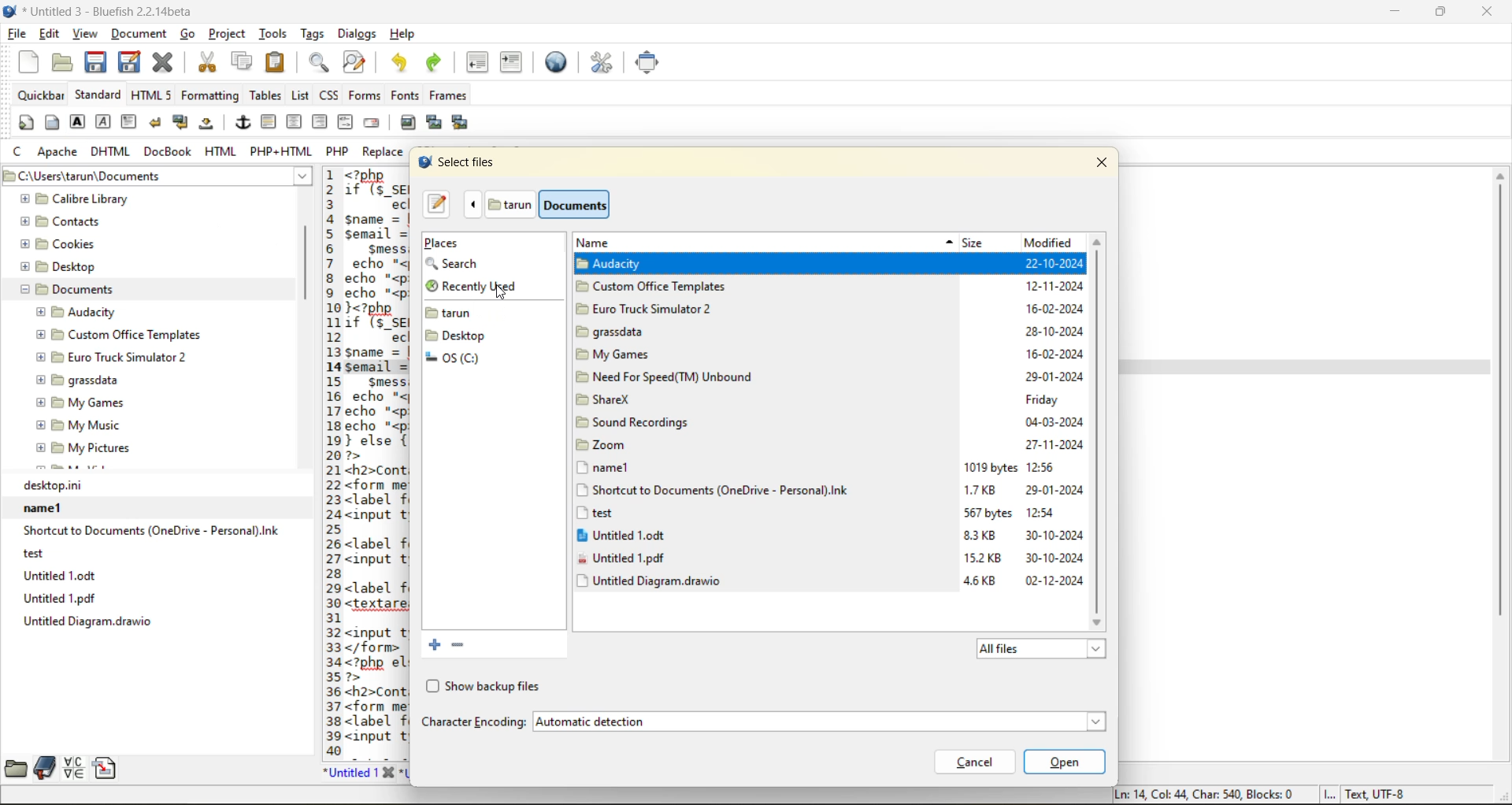  I want to click on find and replace, so click(354, 64).